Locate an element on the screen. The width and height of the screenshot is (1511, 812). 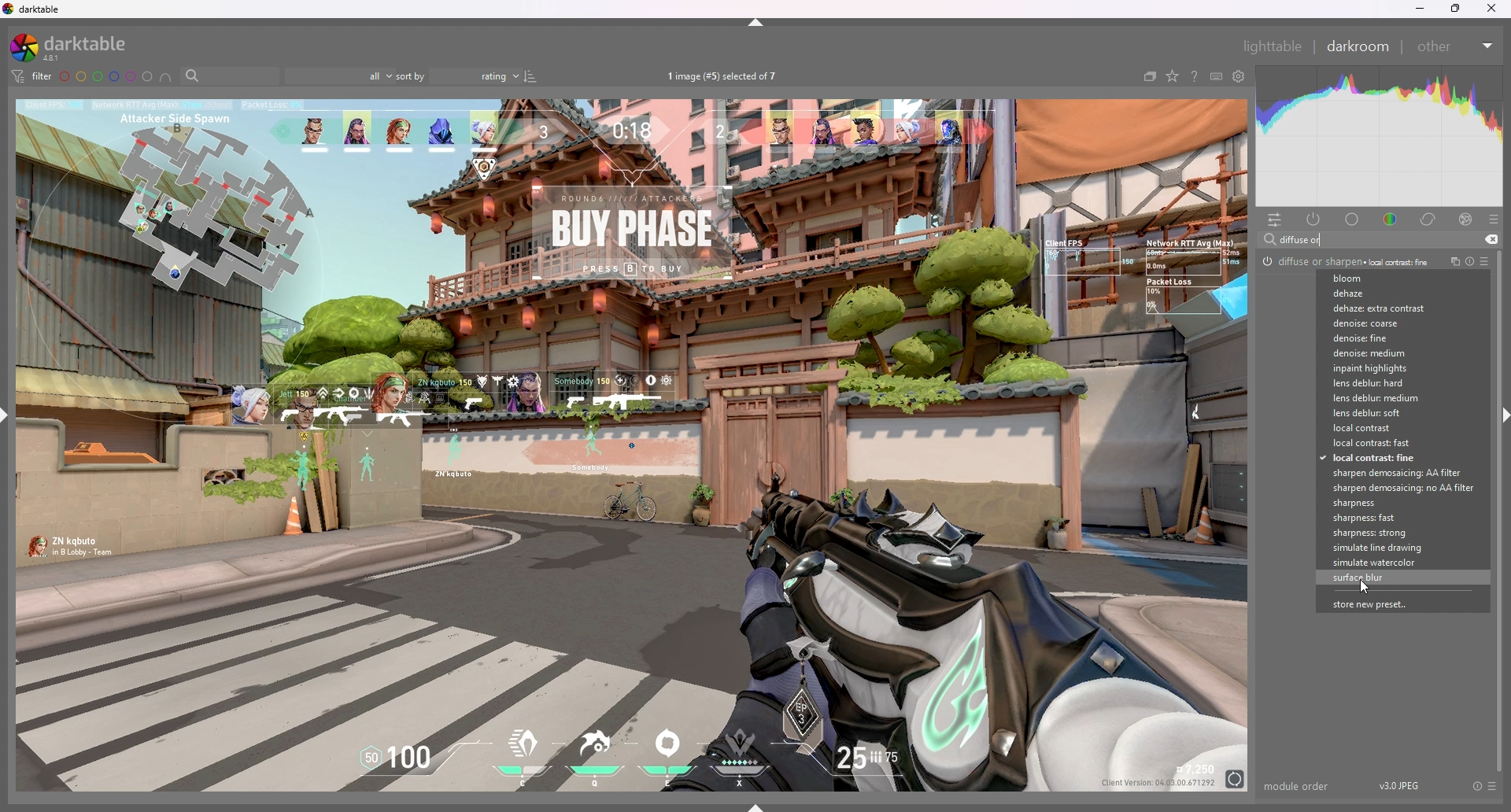
local contrast fast is located at coordinates (1392, 444).